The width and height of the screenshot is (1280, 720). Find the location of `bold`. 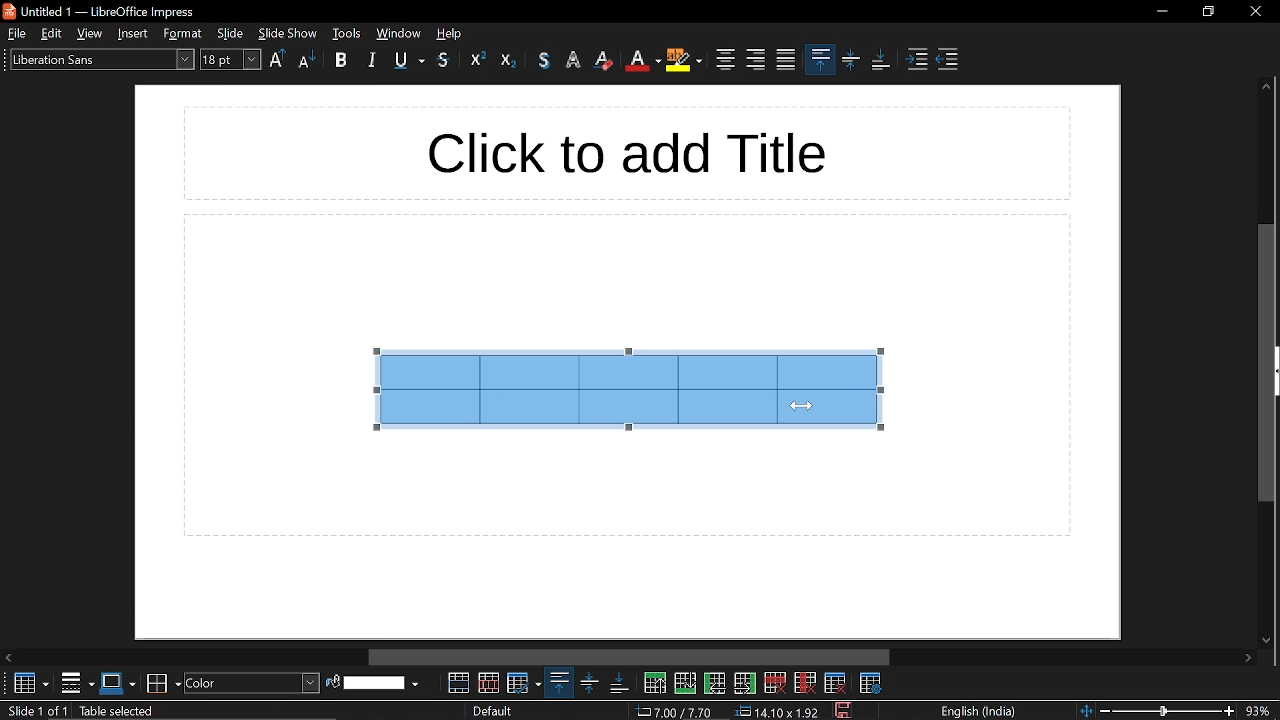

bold is located at coordinates (341, 59).